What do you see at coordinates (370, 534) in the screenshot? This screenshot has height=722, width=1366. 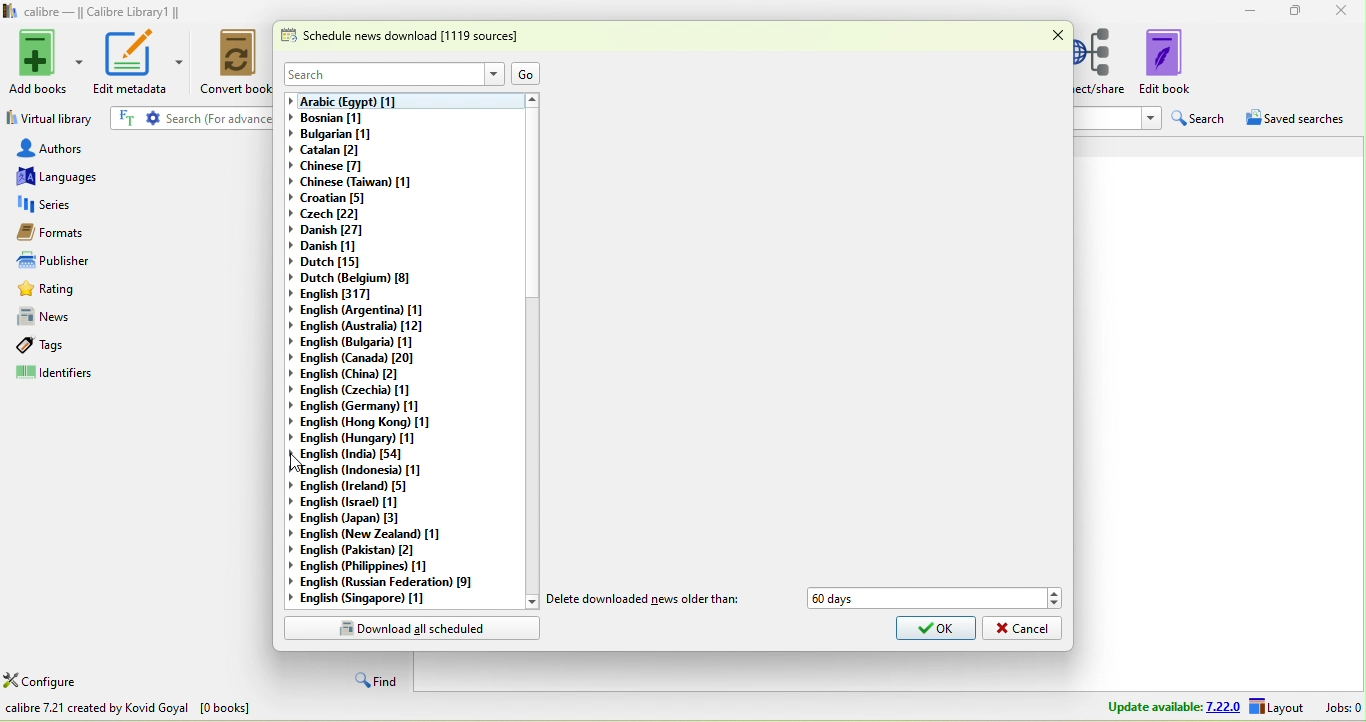 I see `english (new zealand)[1]` at bounding box center [370, 534].